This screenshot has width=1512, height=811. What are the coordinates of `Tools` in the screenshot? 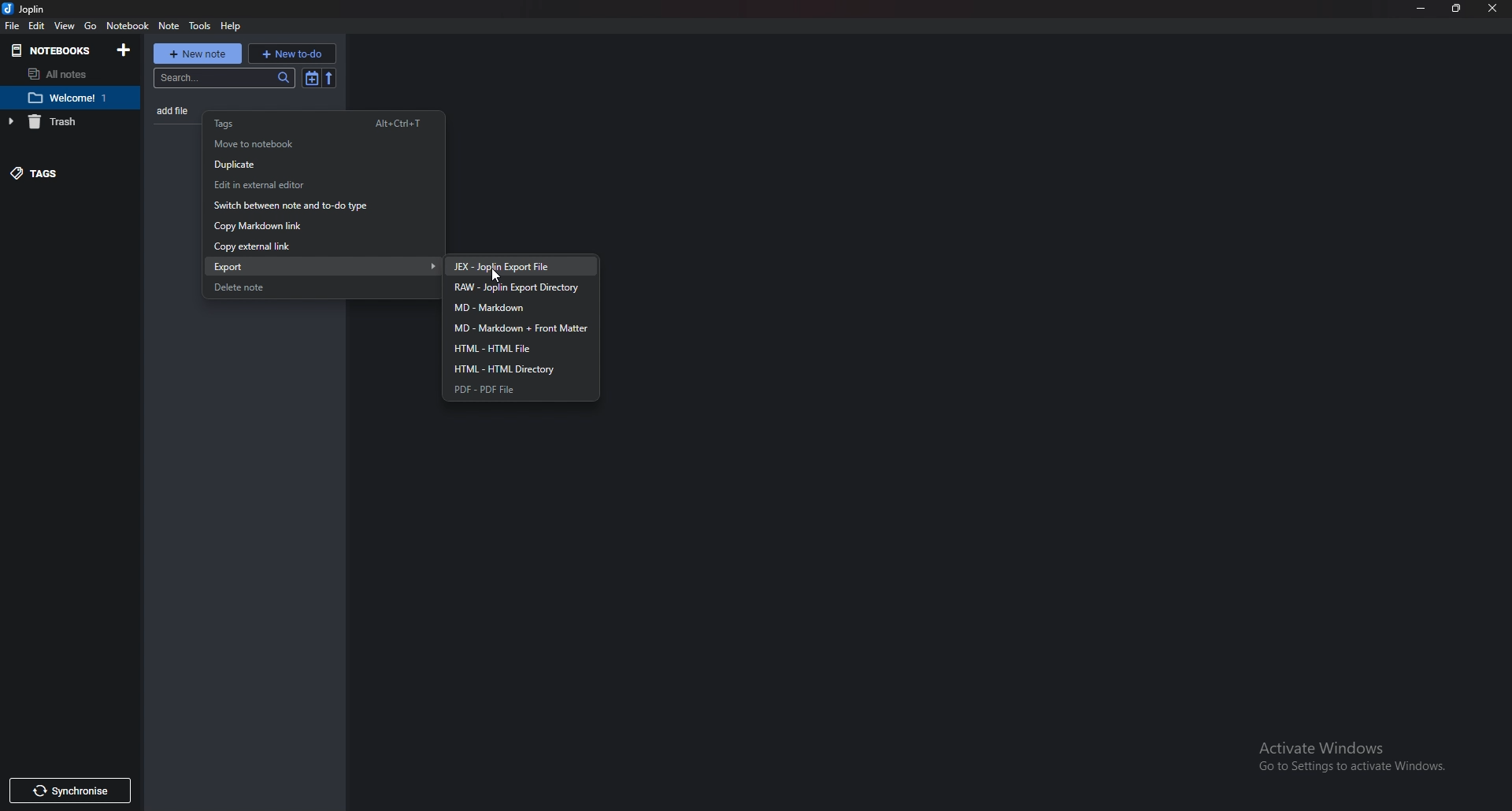 It's located at (200, 26).